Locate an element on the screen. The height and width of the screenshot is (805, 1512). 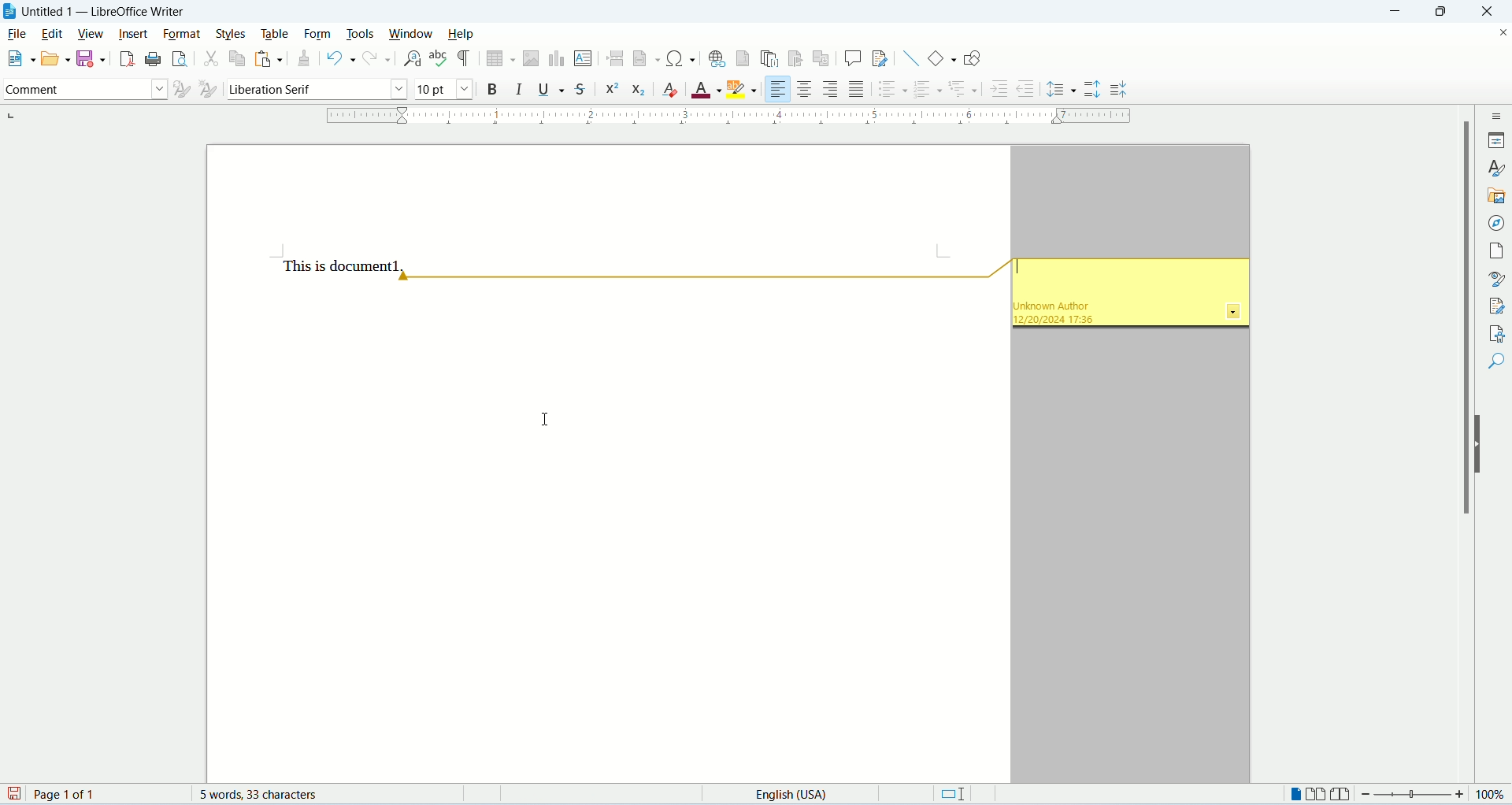
draw function is located at coordinates (972, 57).